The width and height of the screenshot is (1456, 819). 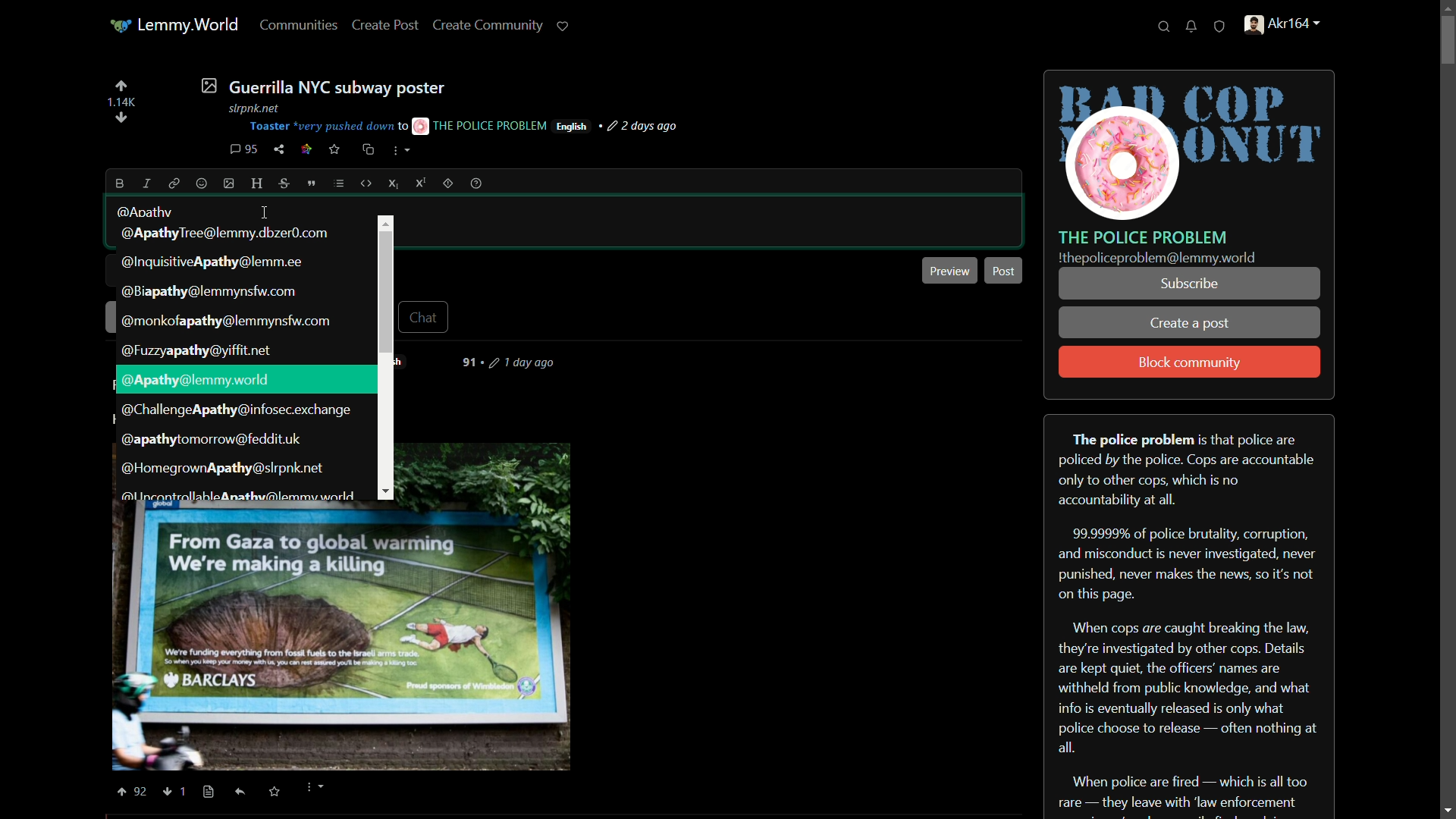 What do you see at coordinates (1190, 363) in the screenshot?
I see `block community` at bounding box center [1190, 363].